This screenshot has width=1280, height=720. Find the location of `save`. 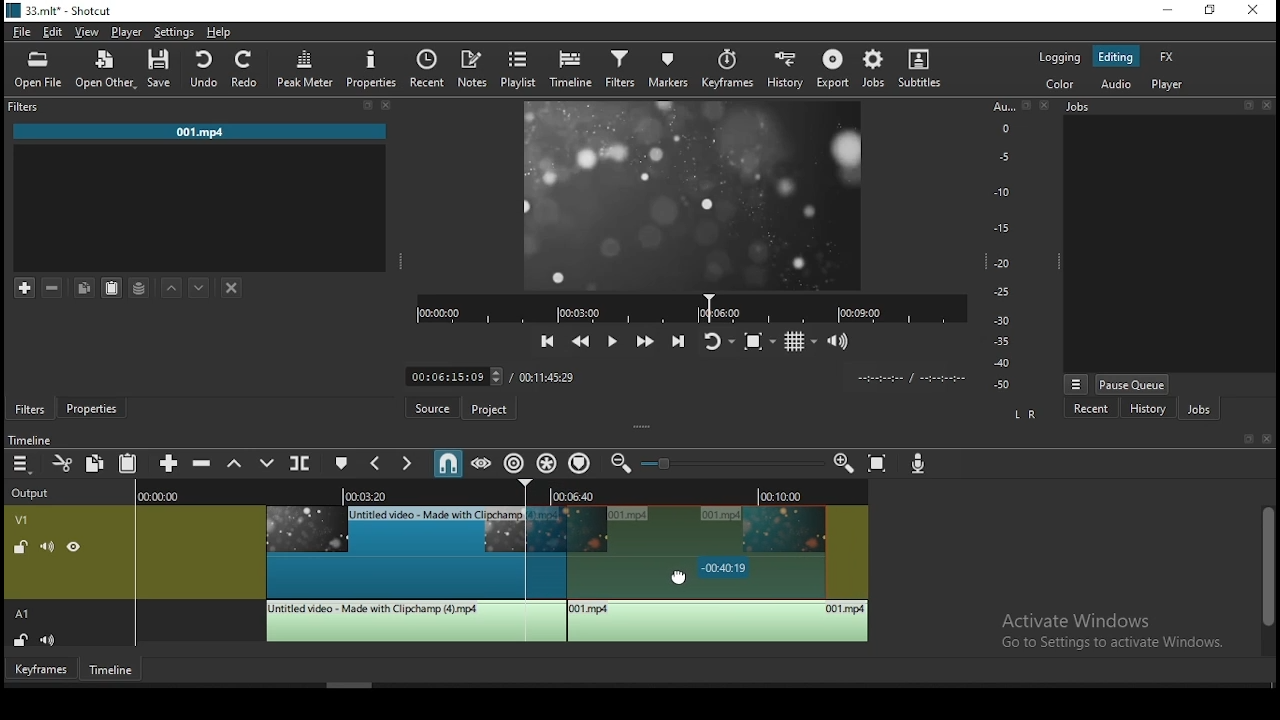

save is located at coordinates (163, 70).